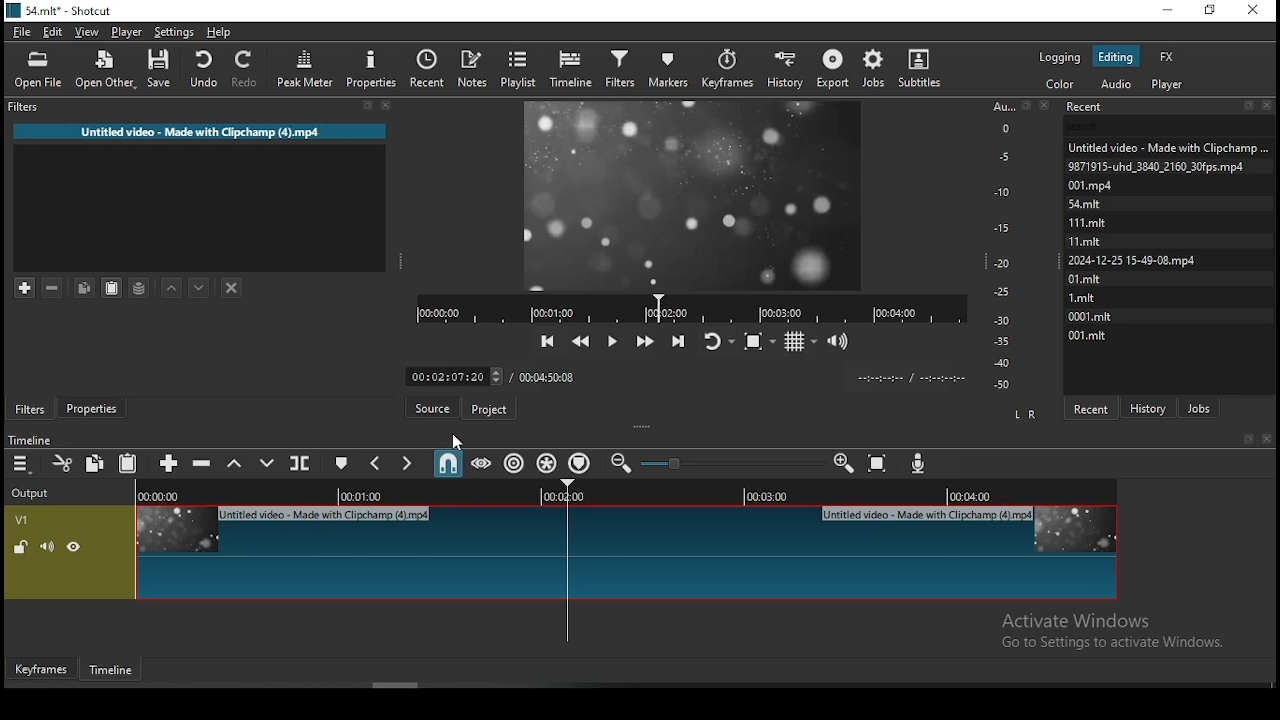 The width and height of the screenshot is (1280, 720). I want to click on add filter, so click(25, 286).